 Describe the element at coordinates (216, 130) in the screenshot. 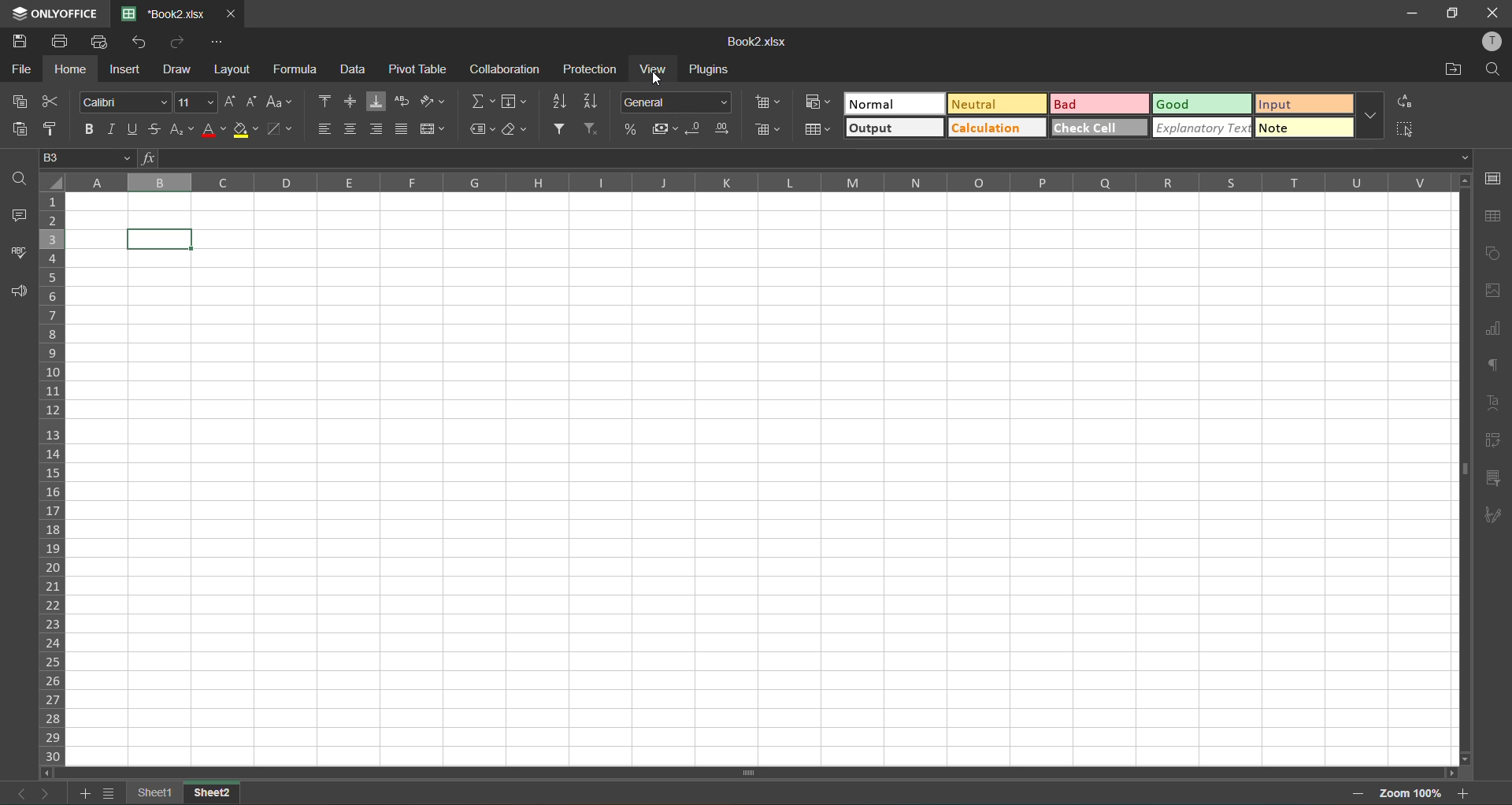

I see `font color` at that location.